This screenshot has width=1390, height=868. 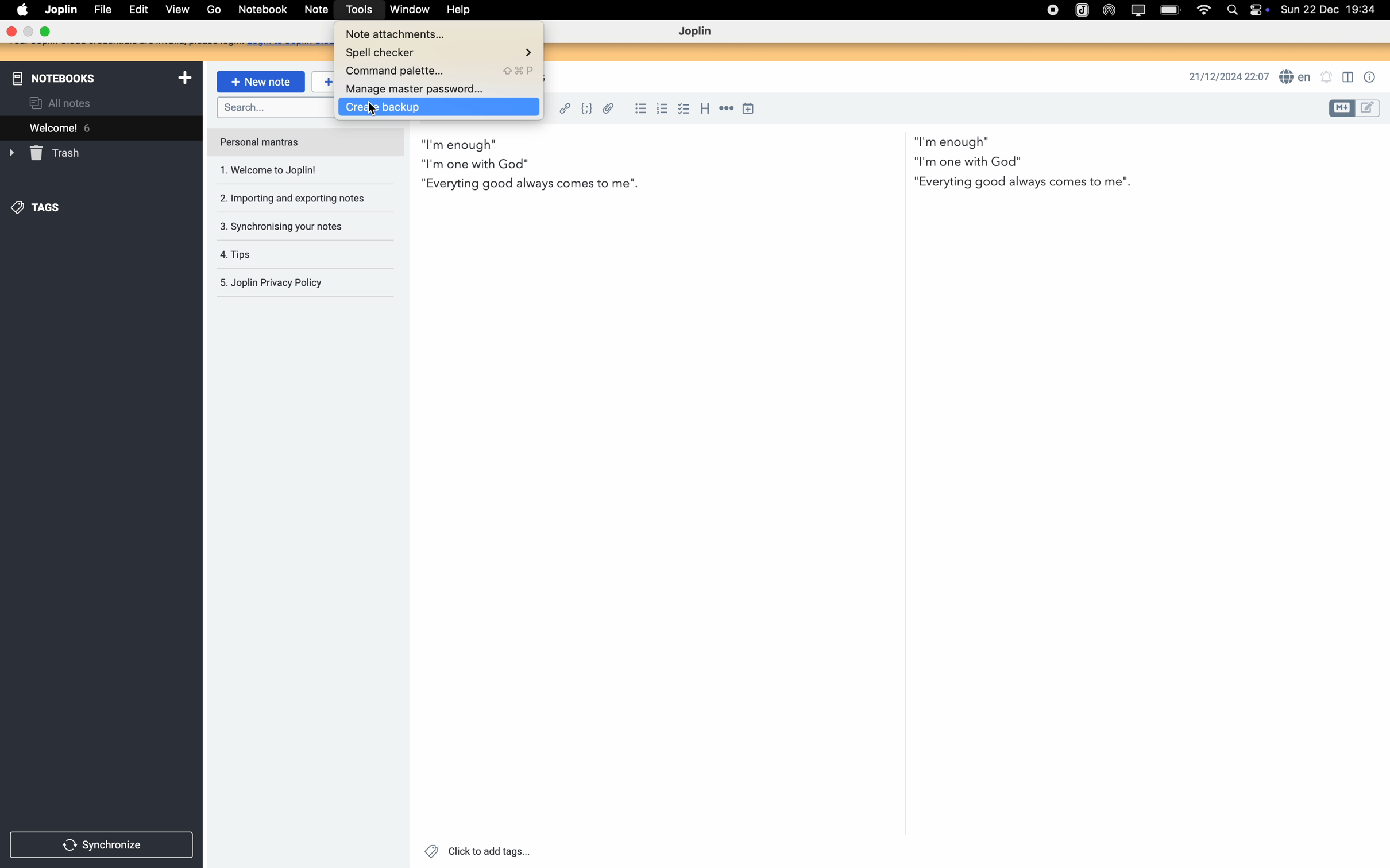 I want to click on set notifications, so click(x=1328, y=76).